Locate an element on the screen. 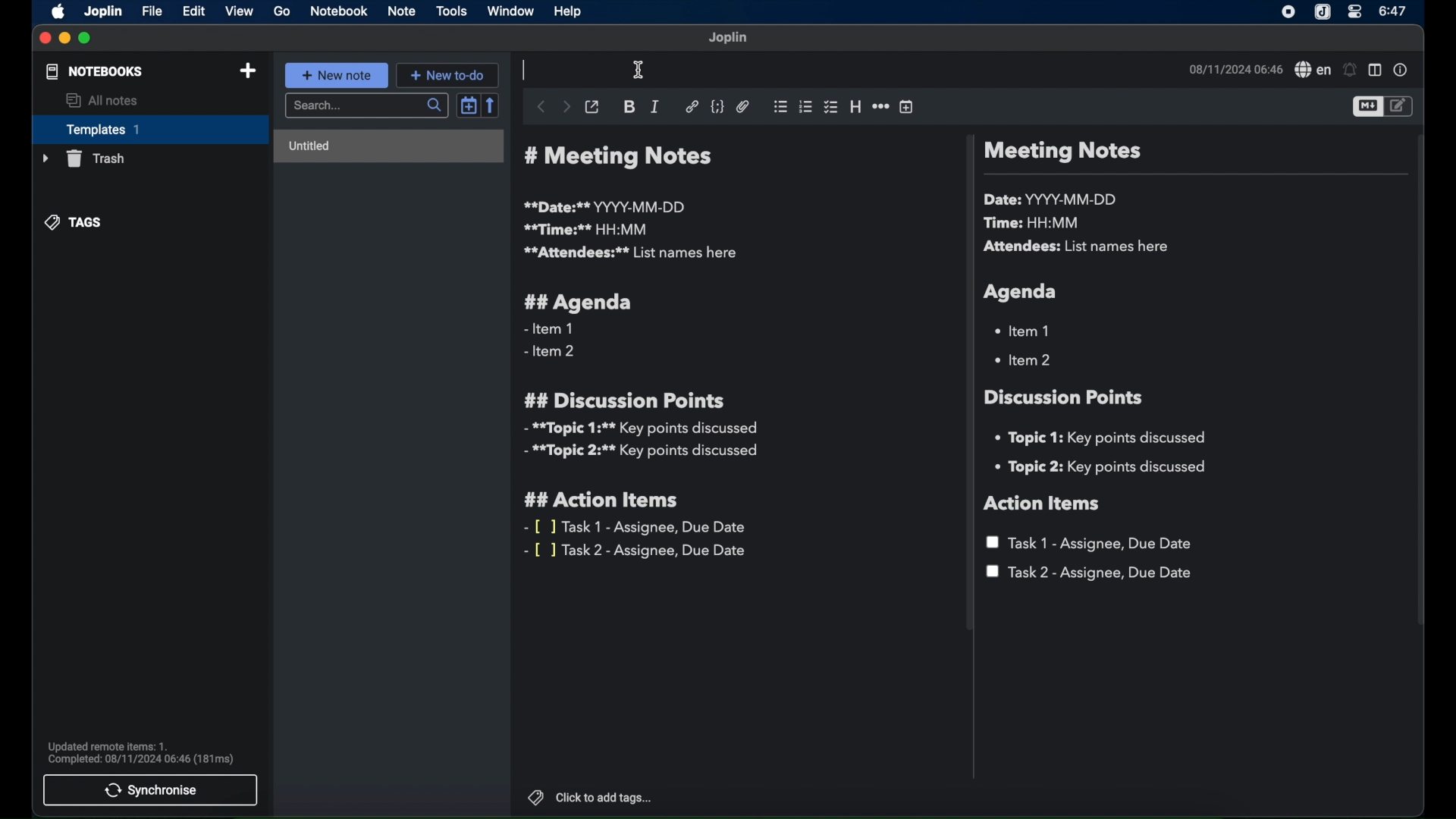 The image size is (1456, 819). all notes is located at coordinates (102, 101).